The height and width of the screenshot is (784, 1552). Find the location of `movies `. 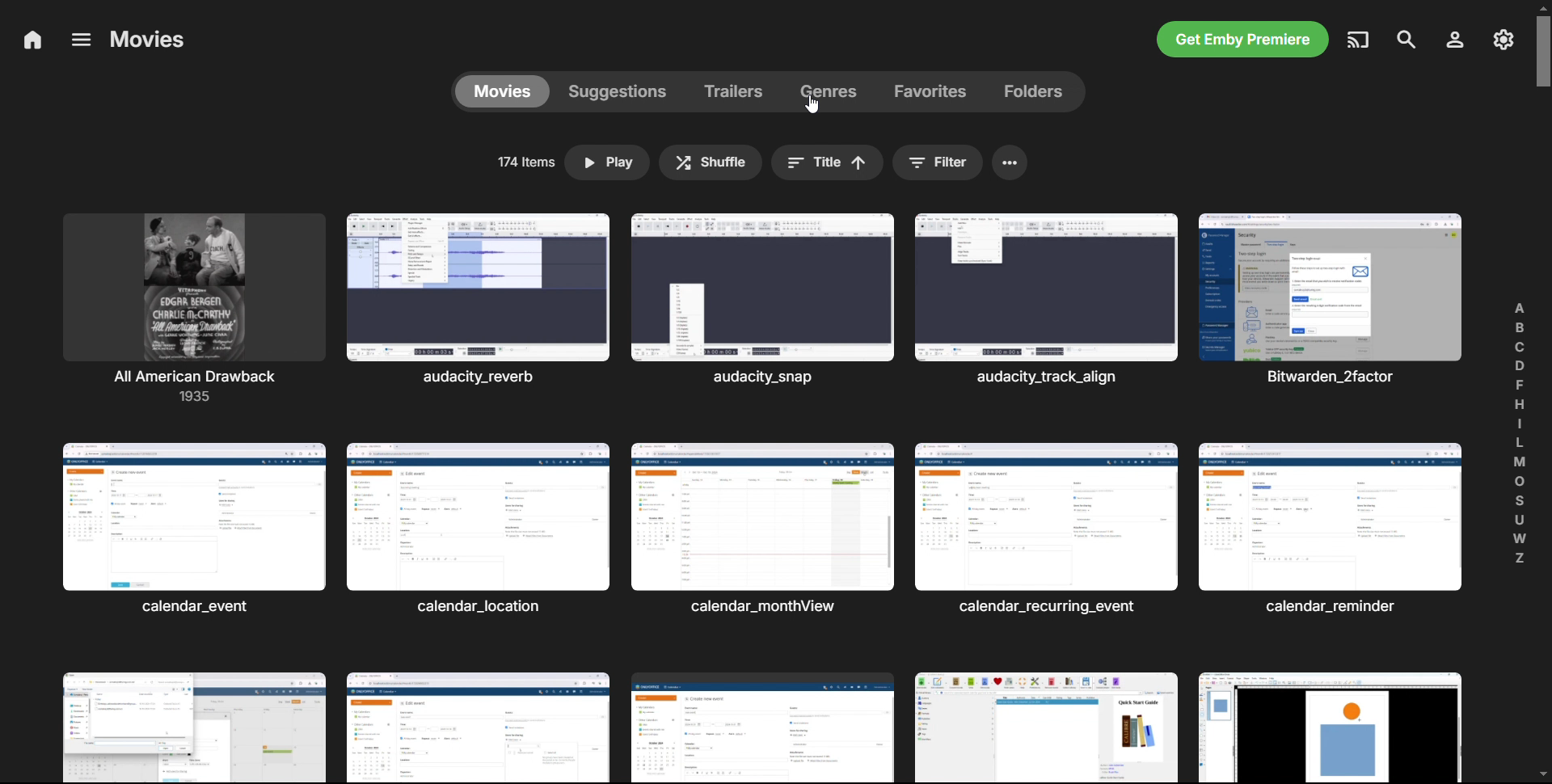

movies  is located at coordinates (148, 39).